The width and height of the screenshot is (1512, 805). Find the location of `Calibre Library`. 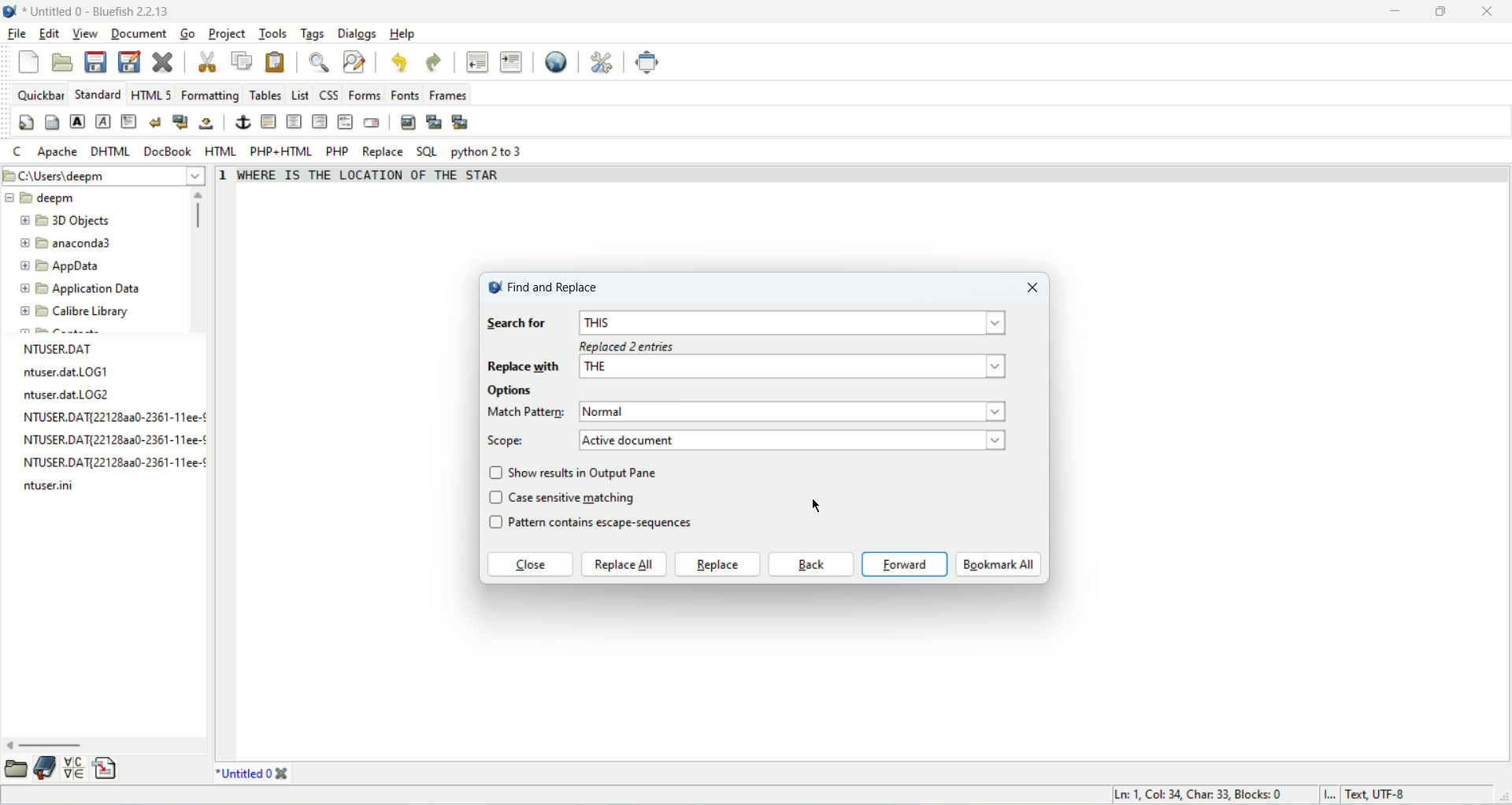

Calibre Library is located at coordinates (75, 310).